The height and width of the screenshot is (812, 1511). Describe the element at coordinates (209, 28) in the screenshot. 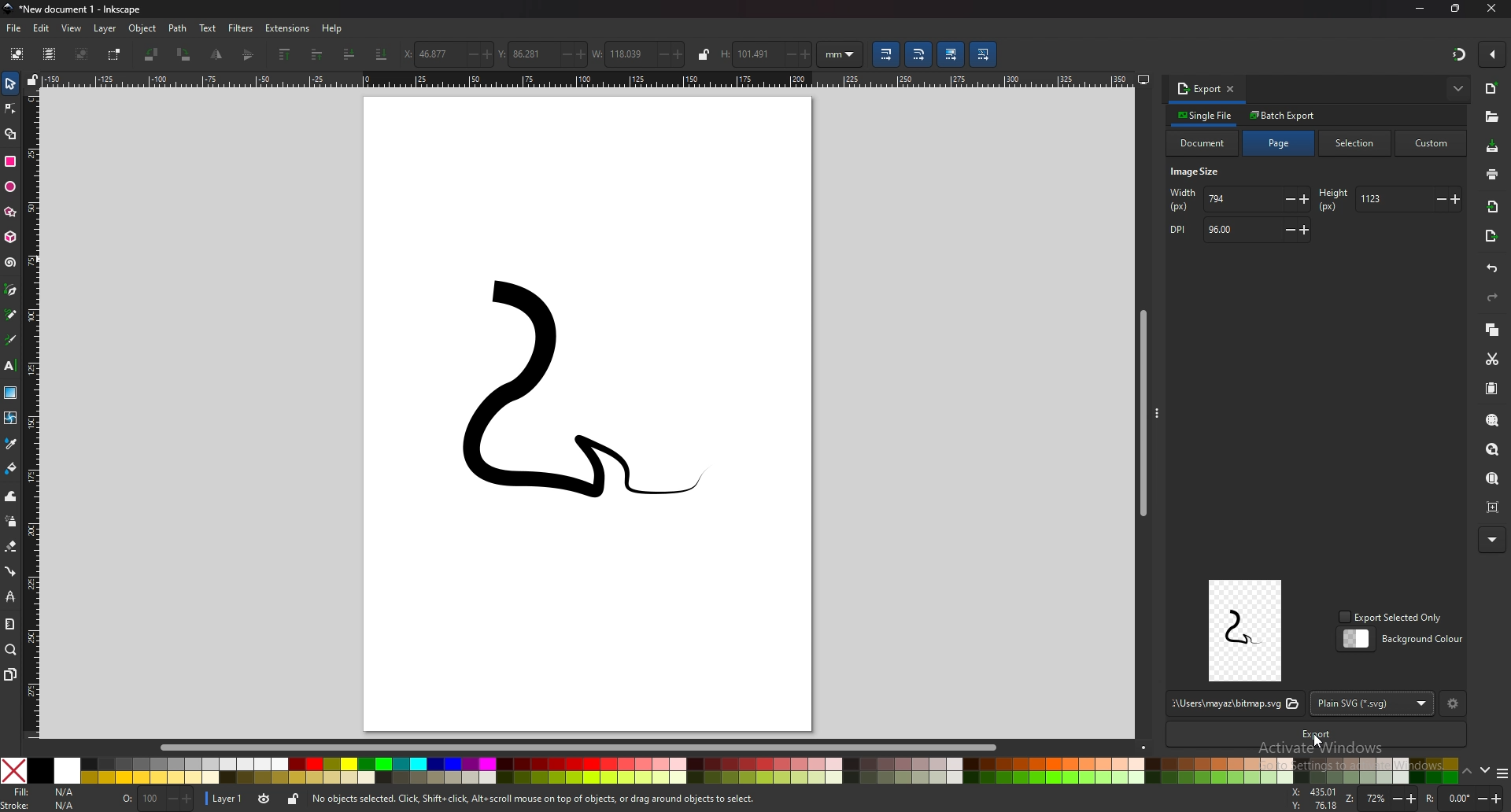

I see `text` at that location.